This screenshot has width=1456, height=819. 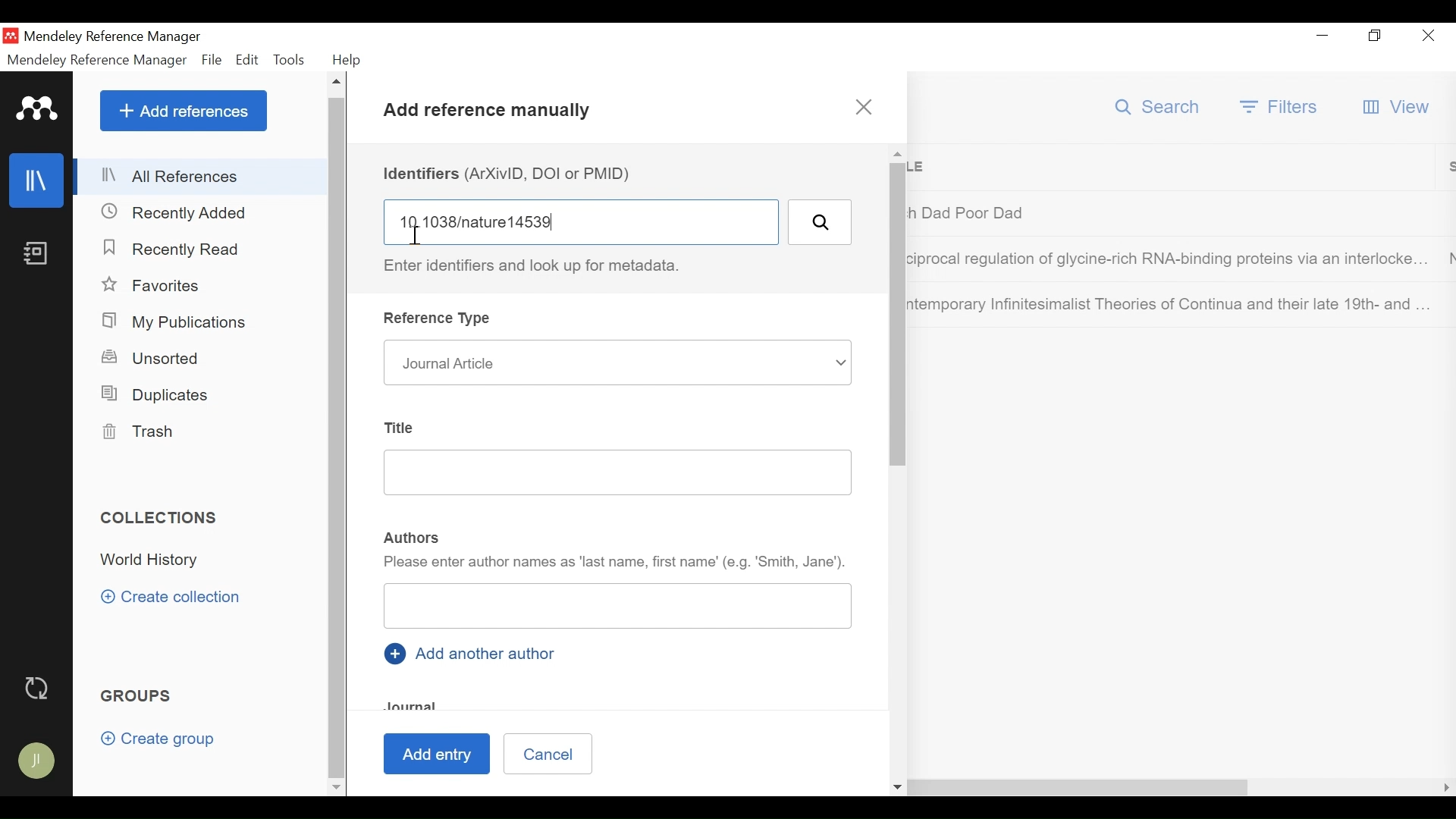 I want to click on Mendeley Desktop icon, so click(x=10, y=35).